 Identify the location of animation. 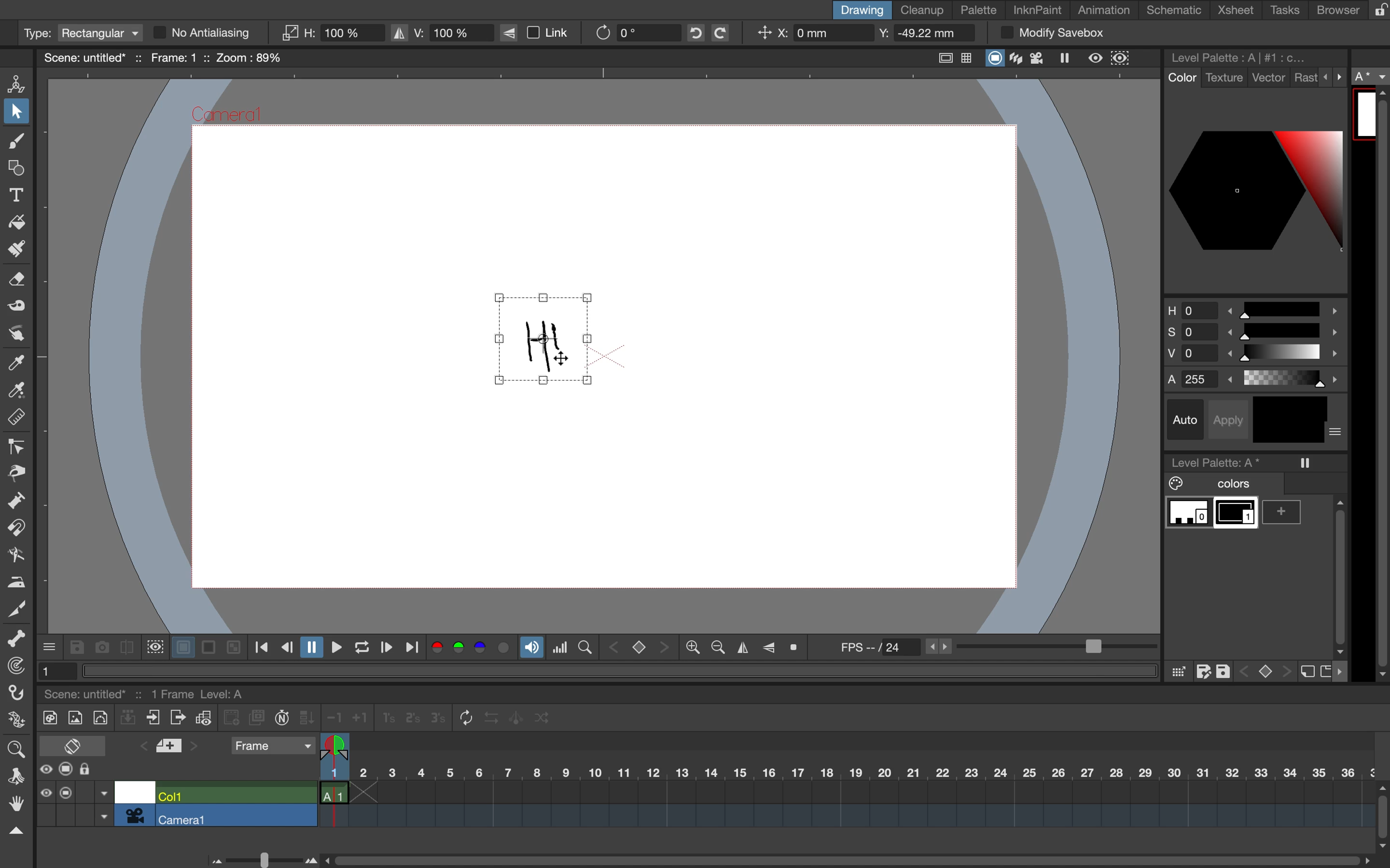
(1109, 11).